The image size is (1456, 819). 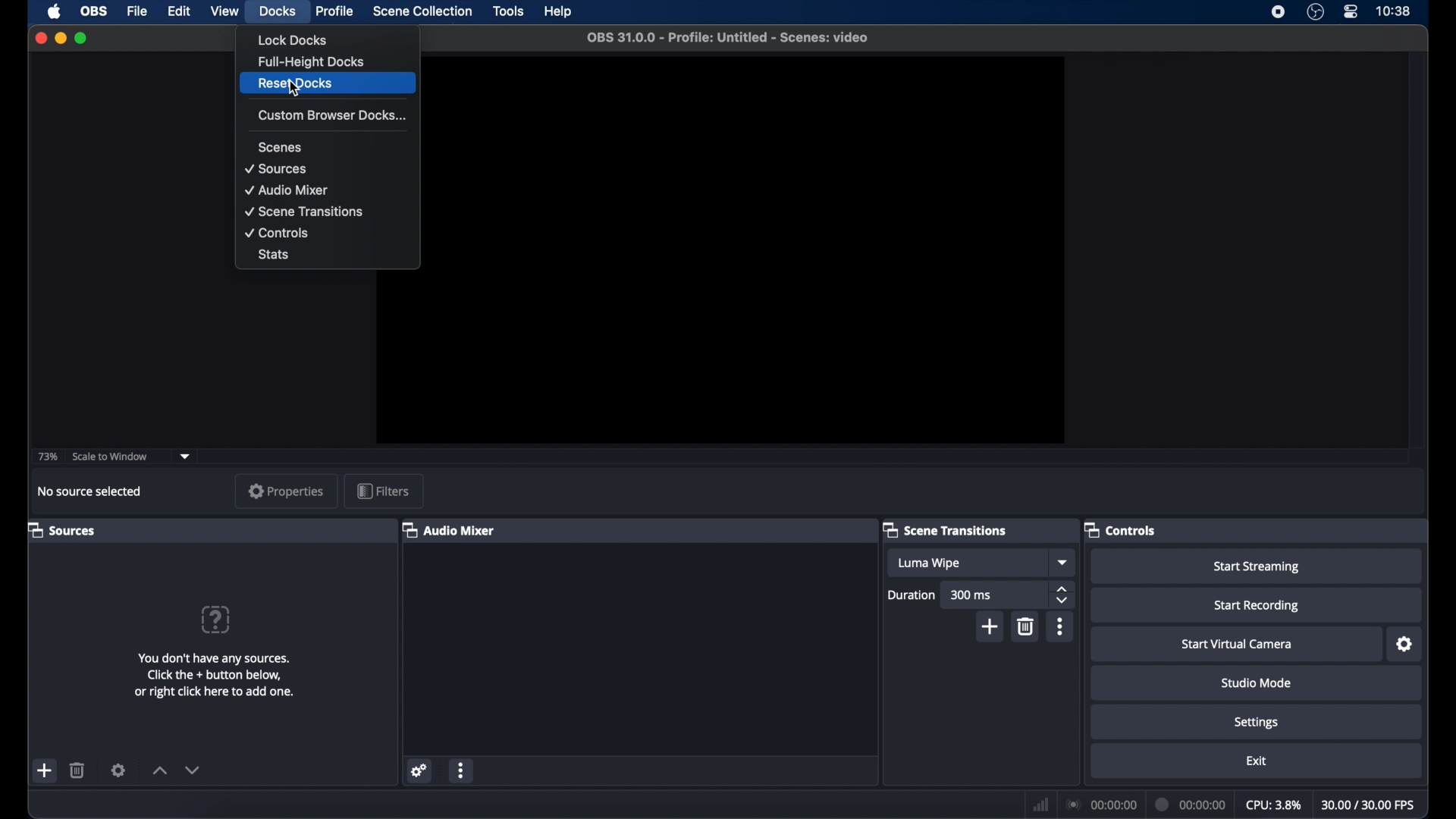 I want to click on duration, so click(x=910, y=595).